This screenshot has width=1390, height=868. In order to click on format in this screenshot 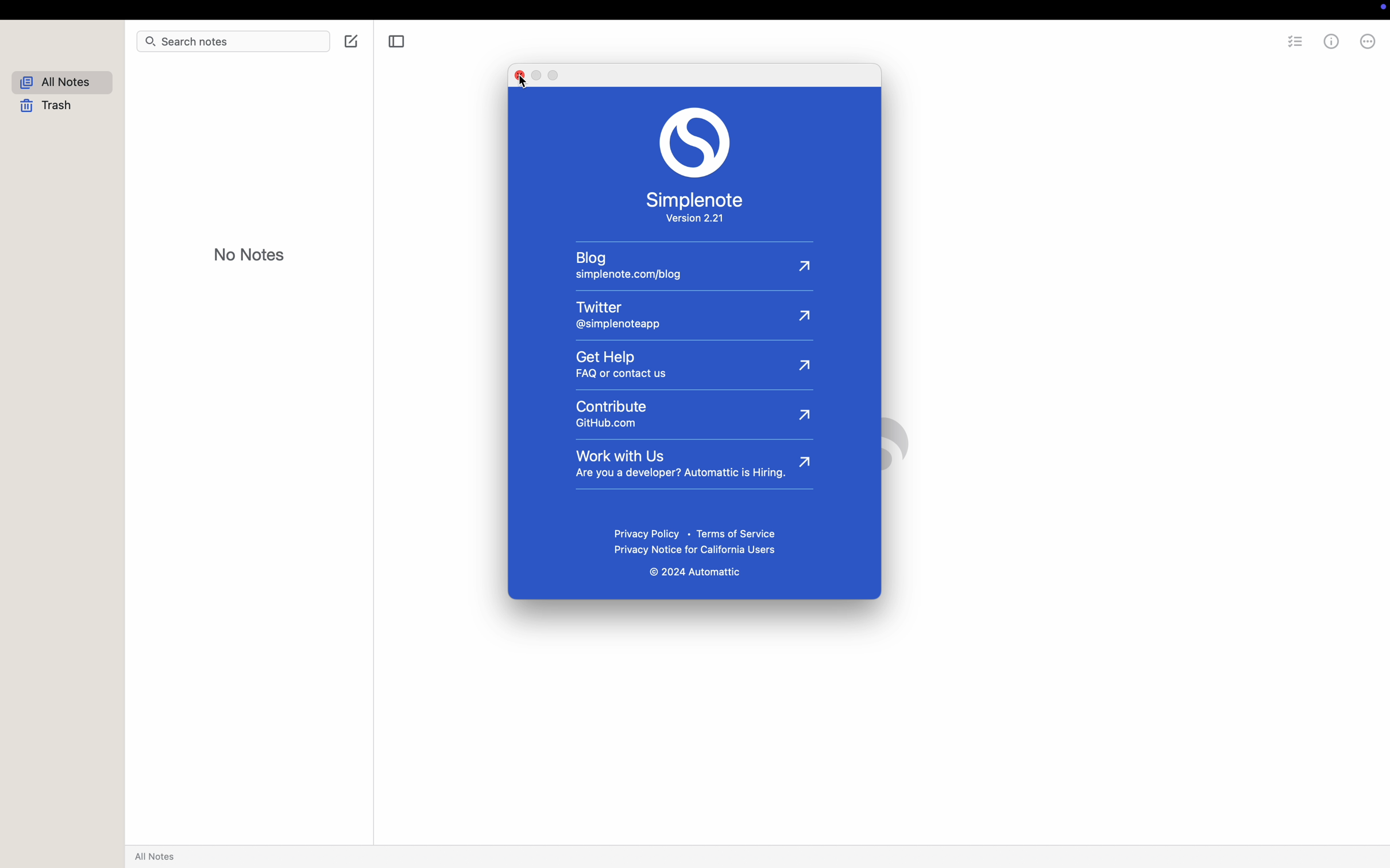, I will do `click(259, 9)`.